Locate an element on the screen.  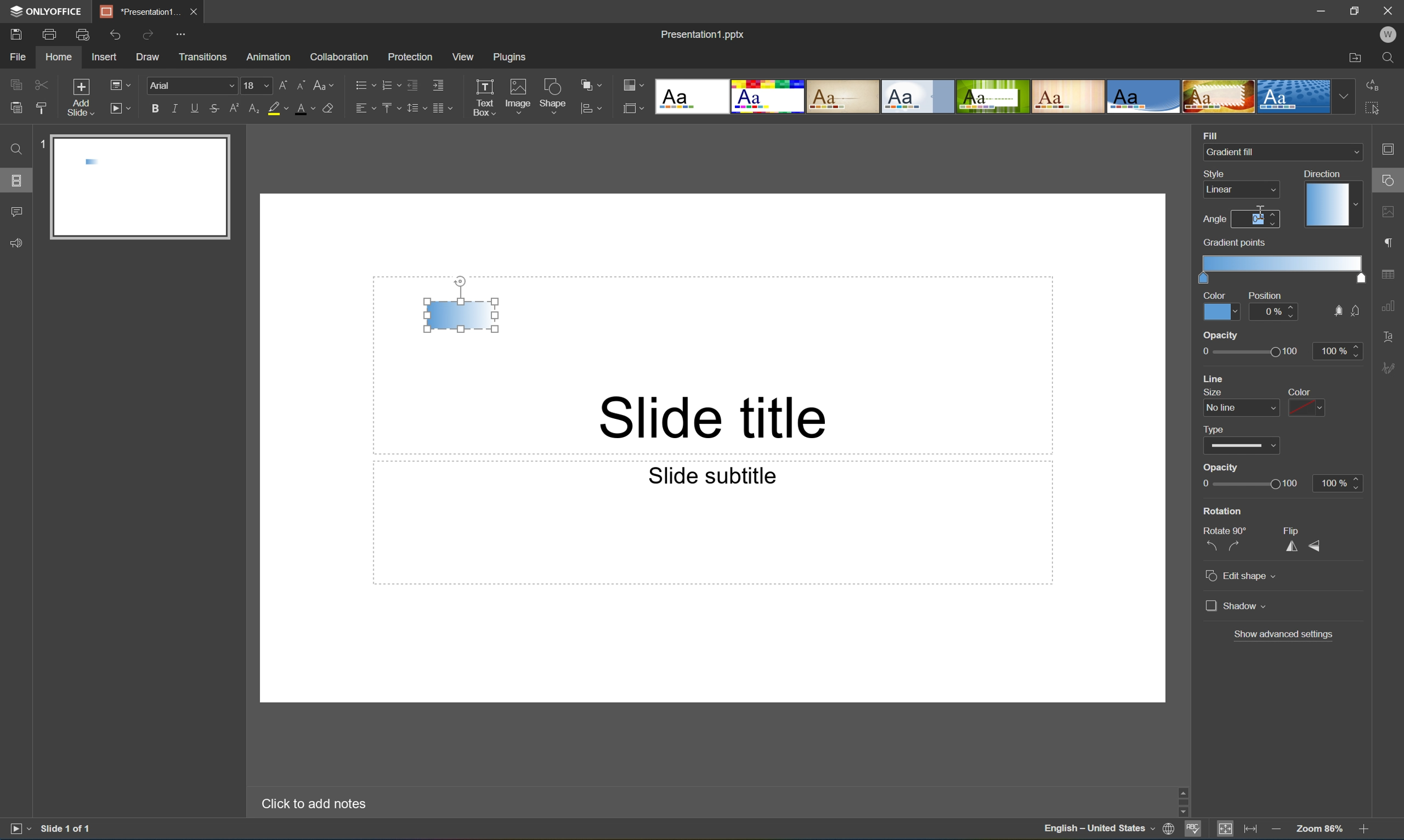
Font is located at coordinates (194, 86).